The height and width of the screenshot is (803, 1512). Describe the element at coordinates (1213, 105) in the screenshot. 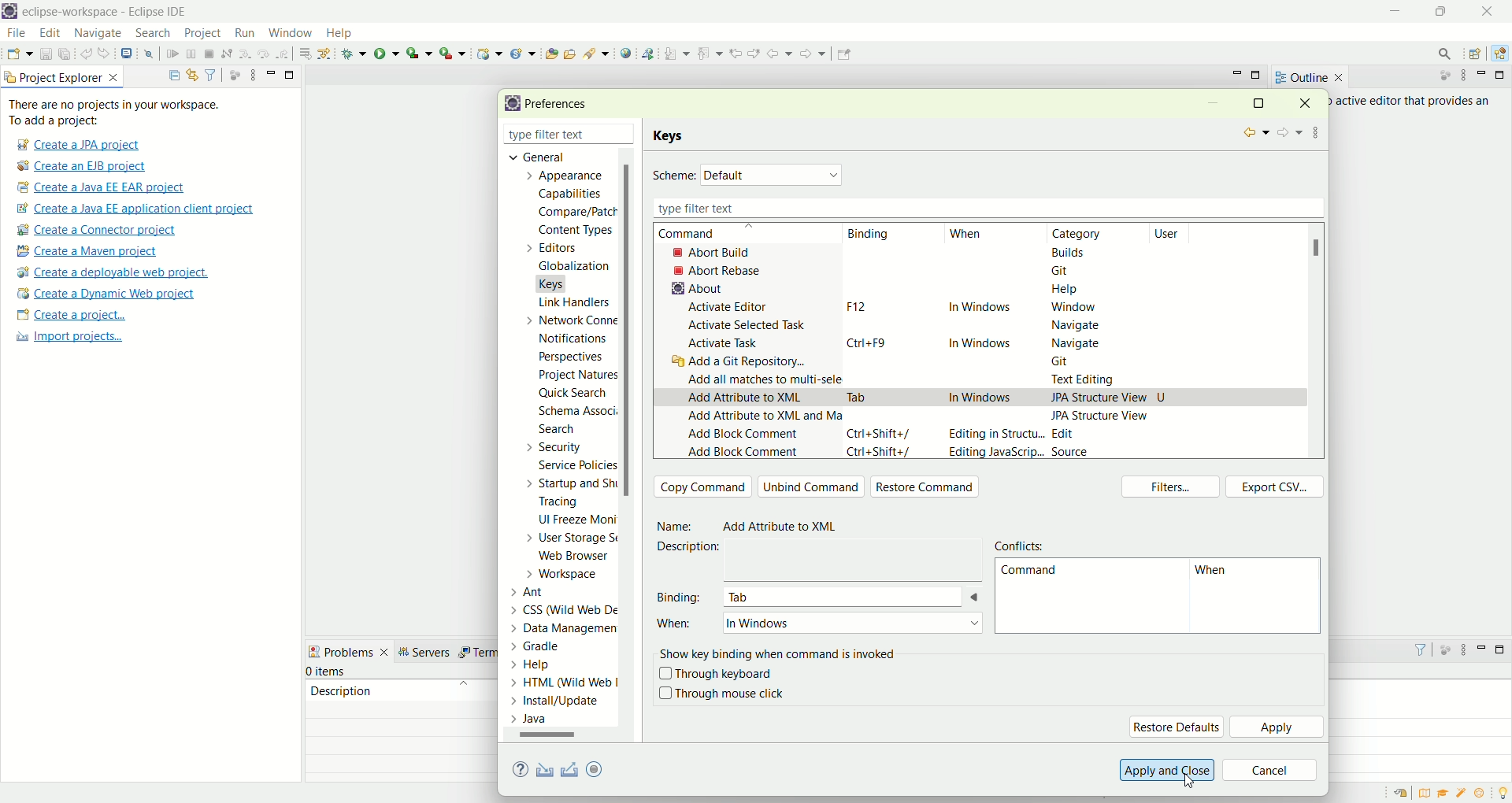

I see `minimize` at that location.